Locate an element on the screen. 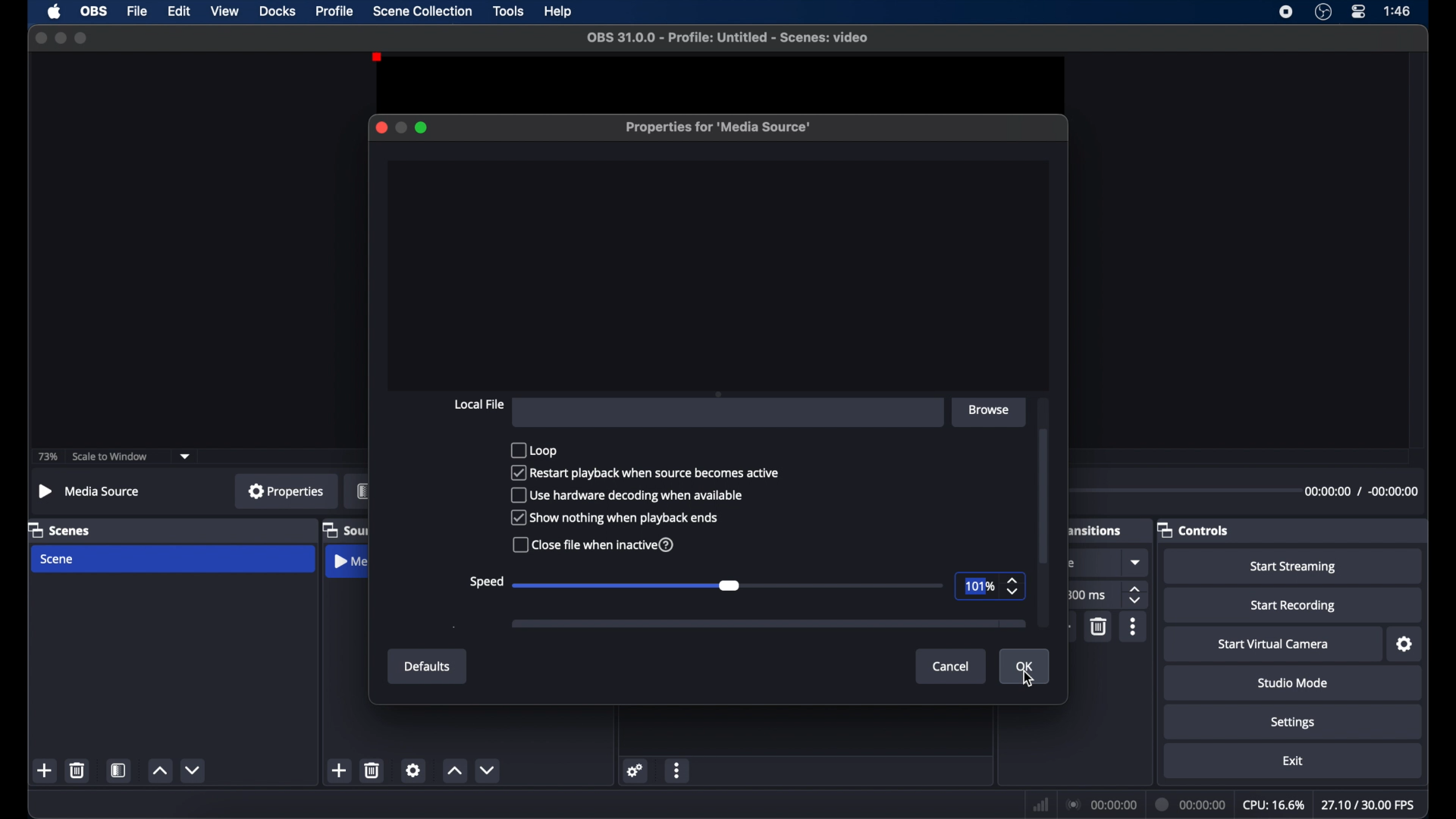  start streaming is located at coordinates (1293, 567).